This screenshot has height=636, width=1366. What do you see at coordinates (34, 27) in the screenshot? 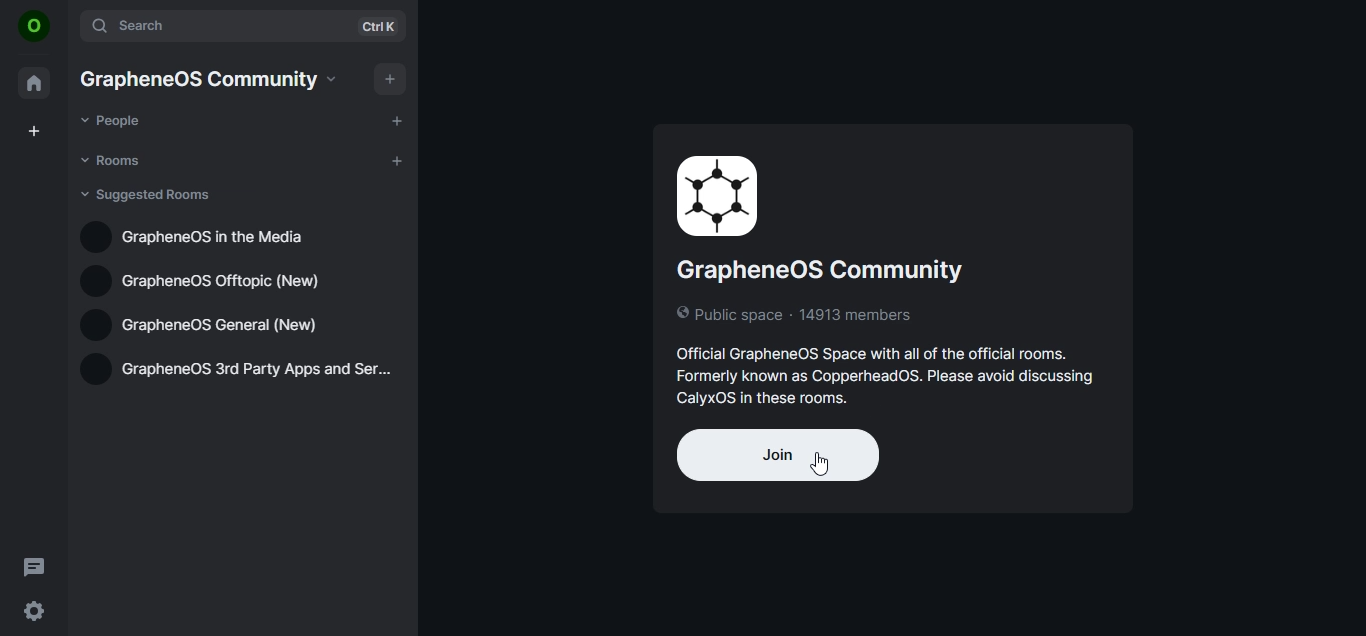
I see `icon` at bounding box center [34, 27].